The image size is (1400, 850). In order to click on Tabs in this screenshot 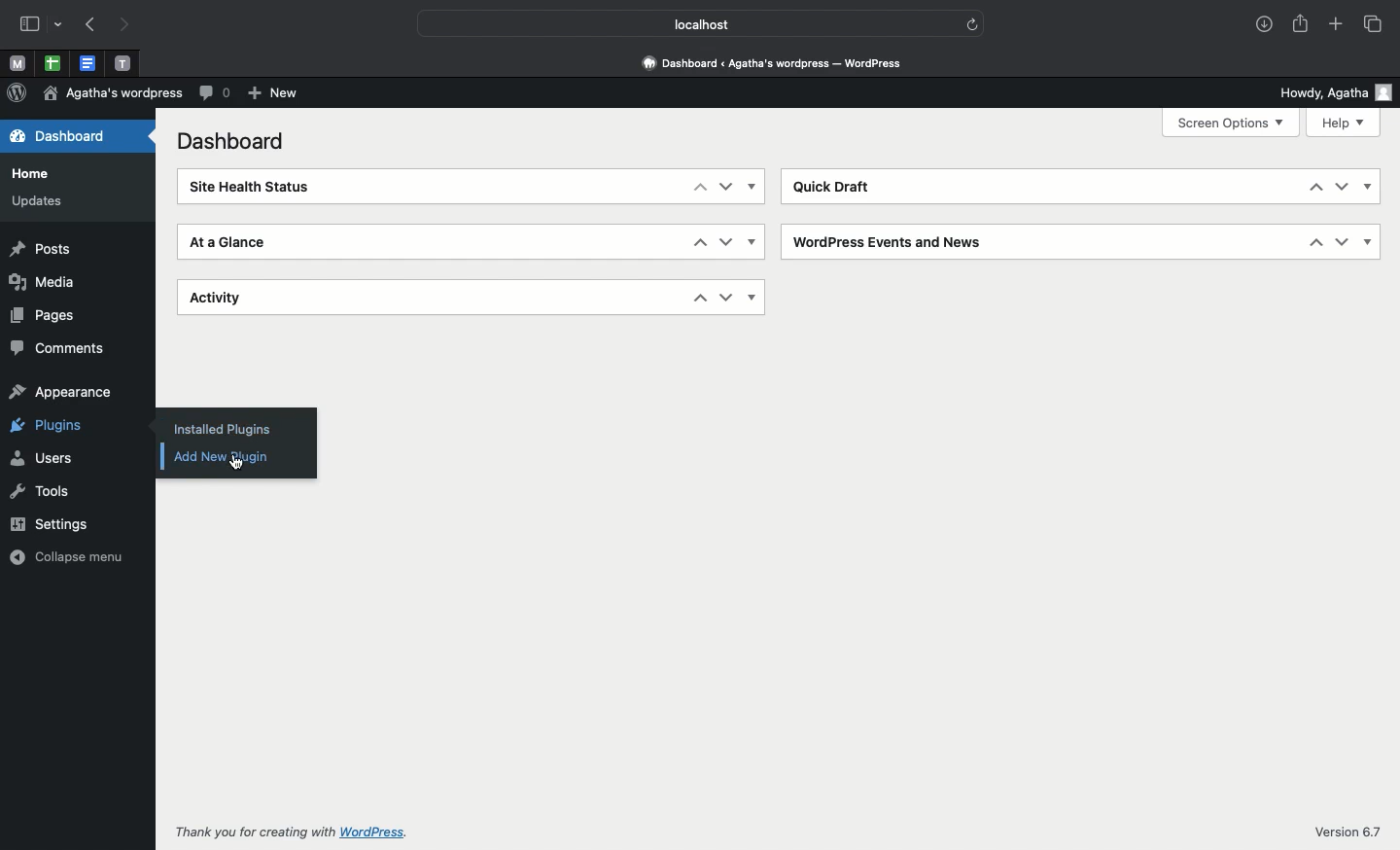, I will do `click(1374, 23)`.